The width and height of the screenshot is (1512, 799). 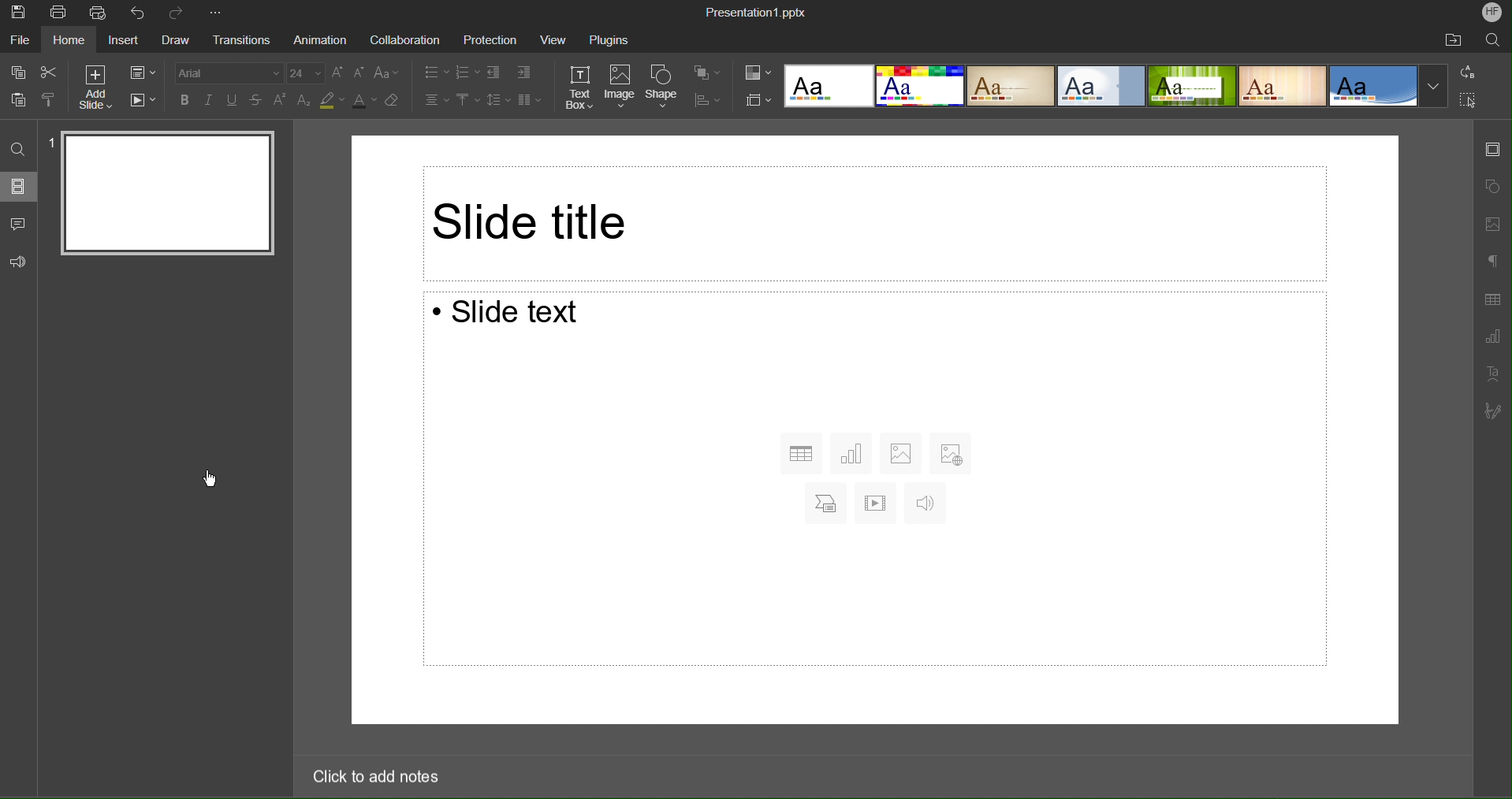 I want to click on Plugins, so click(x=608, y=39).